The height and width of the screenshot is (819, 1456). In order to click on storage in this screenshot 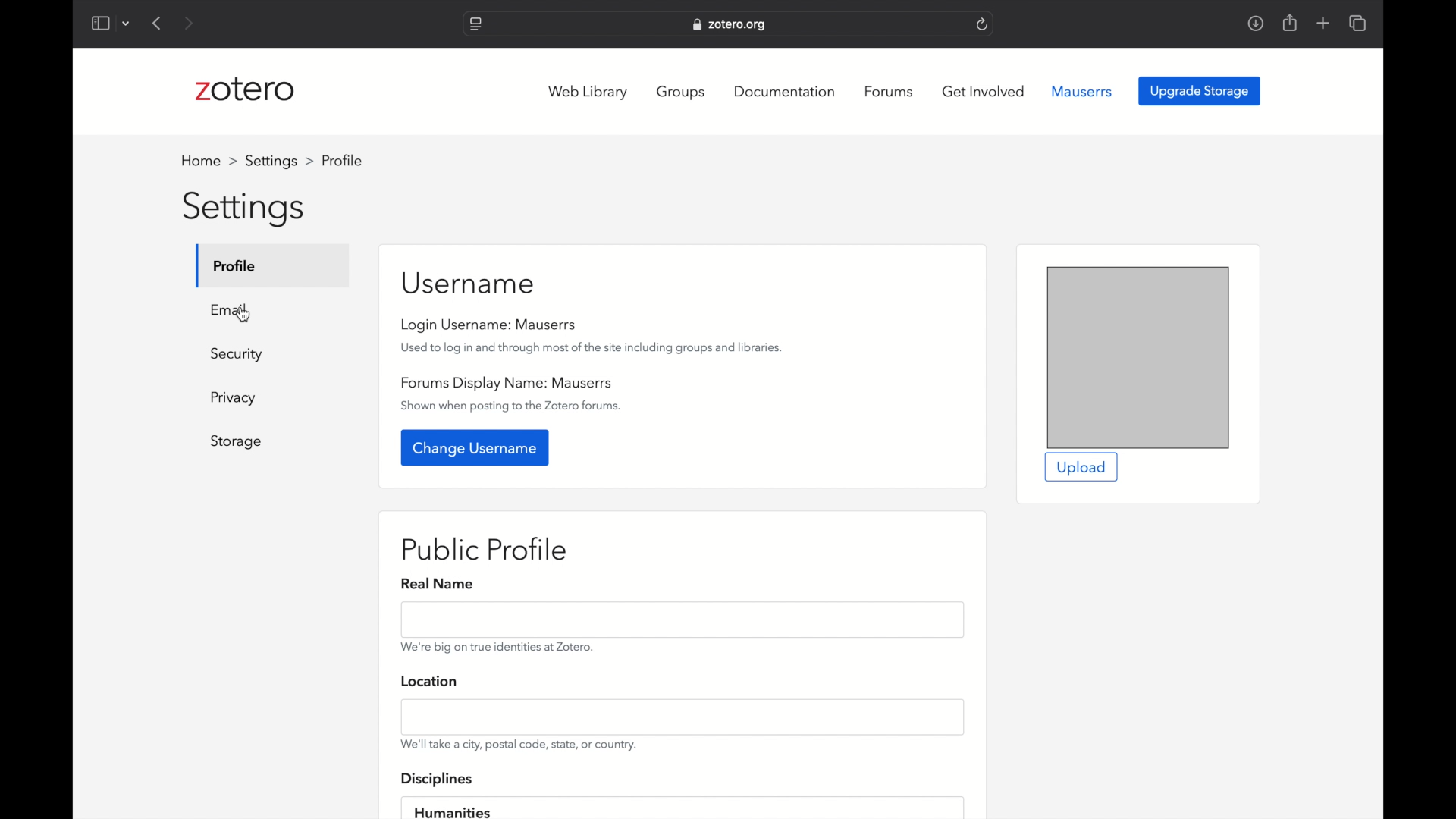, I will do `click(236, 442)`.